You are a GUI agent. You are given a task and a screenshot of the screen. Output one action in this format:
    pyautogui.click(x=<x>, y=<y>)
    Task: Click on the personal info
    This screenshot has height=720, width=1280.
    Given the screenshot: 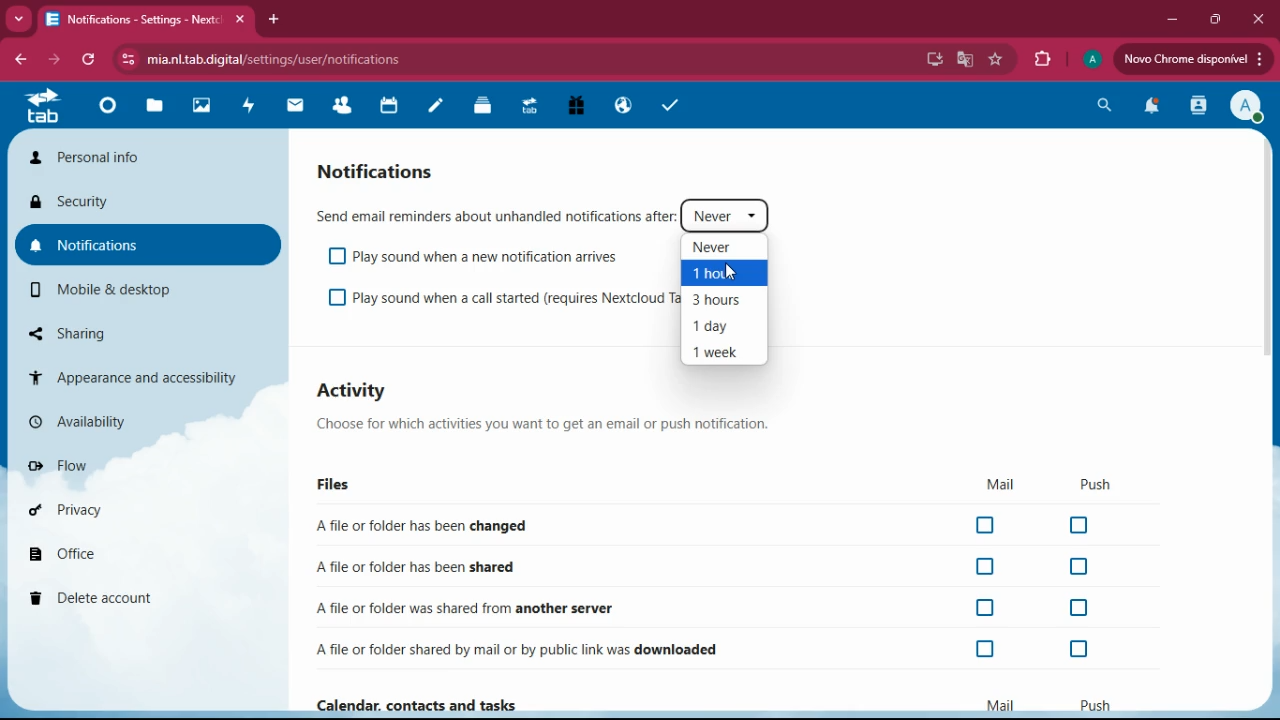 What is the action you would take?
    pyautogui.click(x=148, y=156)
    